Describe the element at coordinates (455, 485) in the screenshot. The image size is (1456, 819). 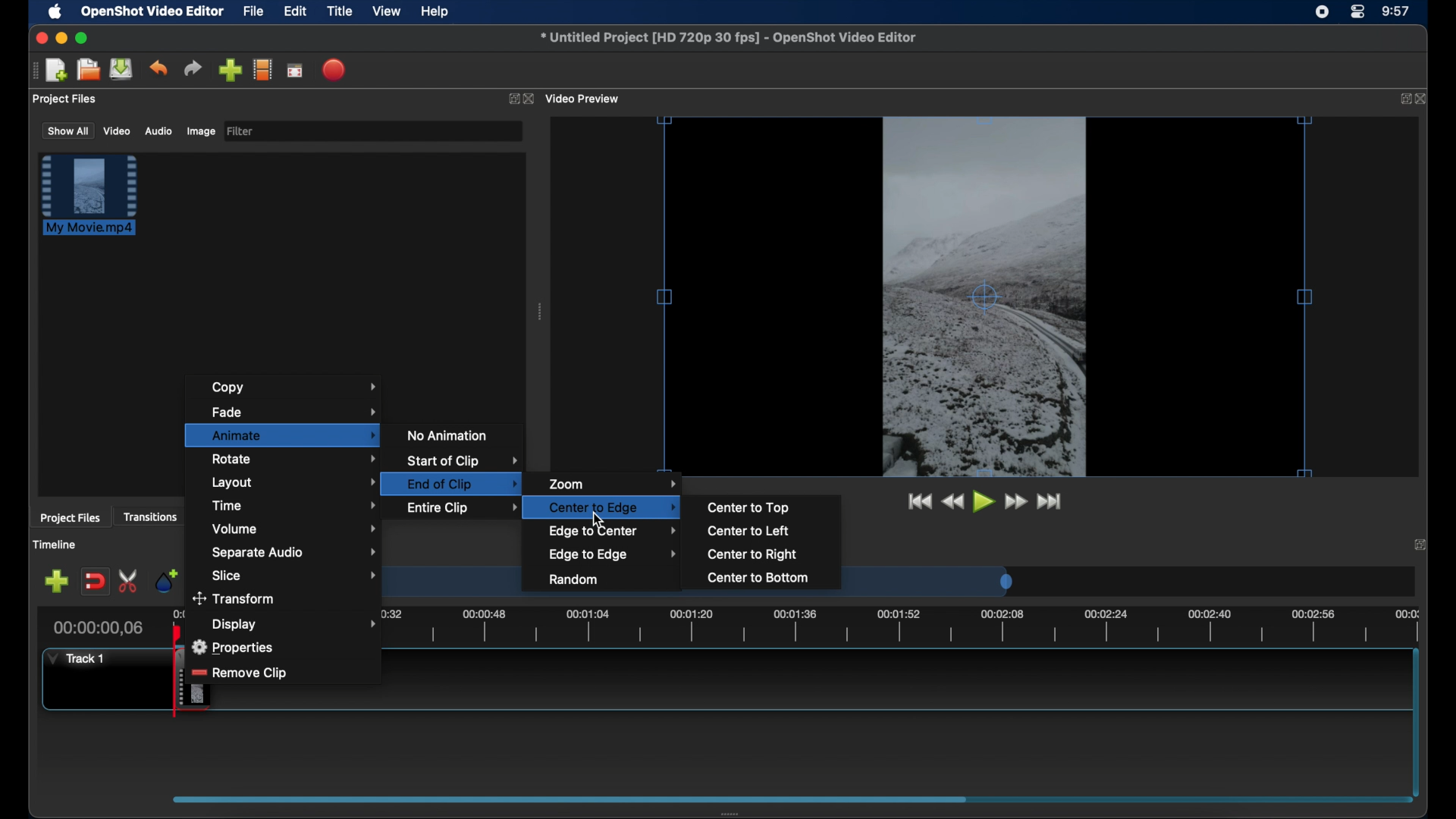
I see `end of clip highlighted` at that location.